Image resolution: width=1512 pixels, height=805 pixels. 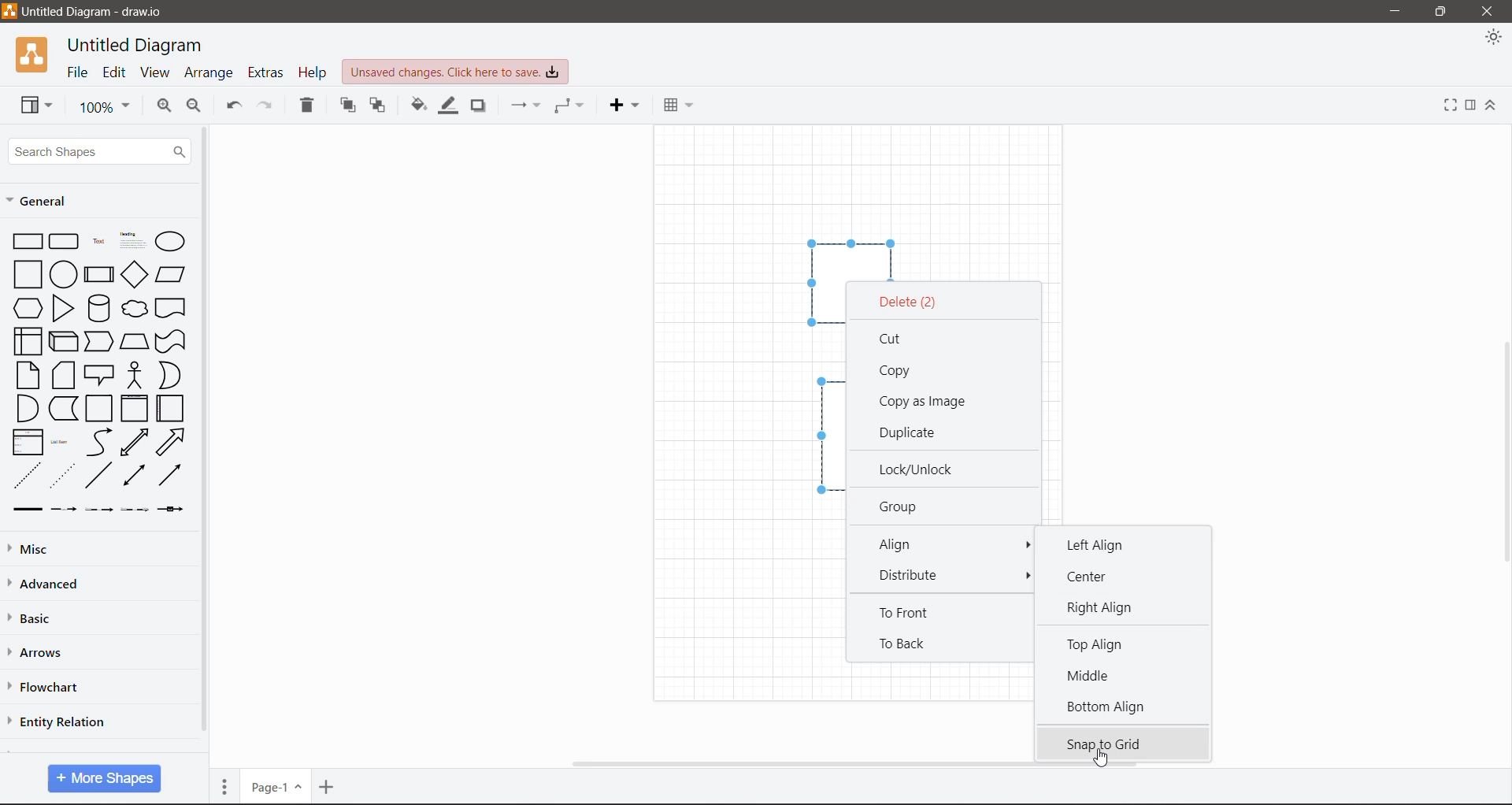 I want to click on Copy as Image, so click(x=924, y=402).